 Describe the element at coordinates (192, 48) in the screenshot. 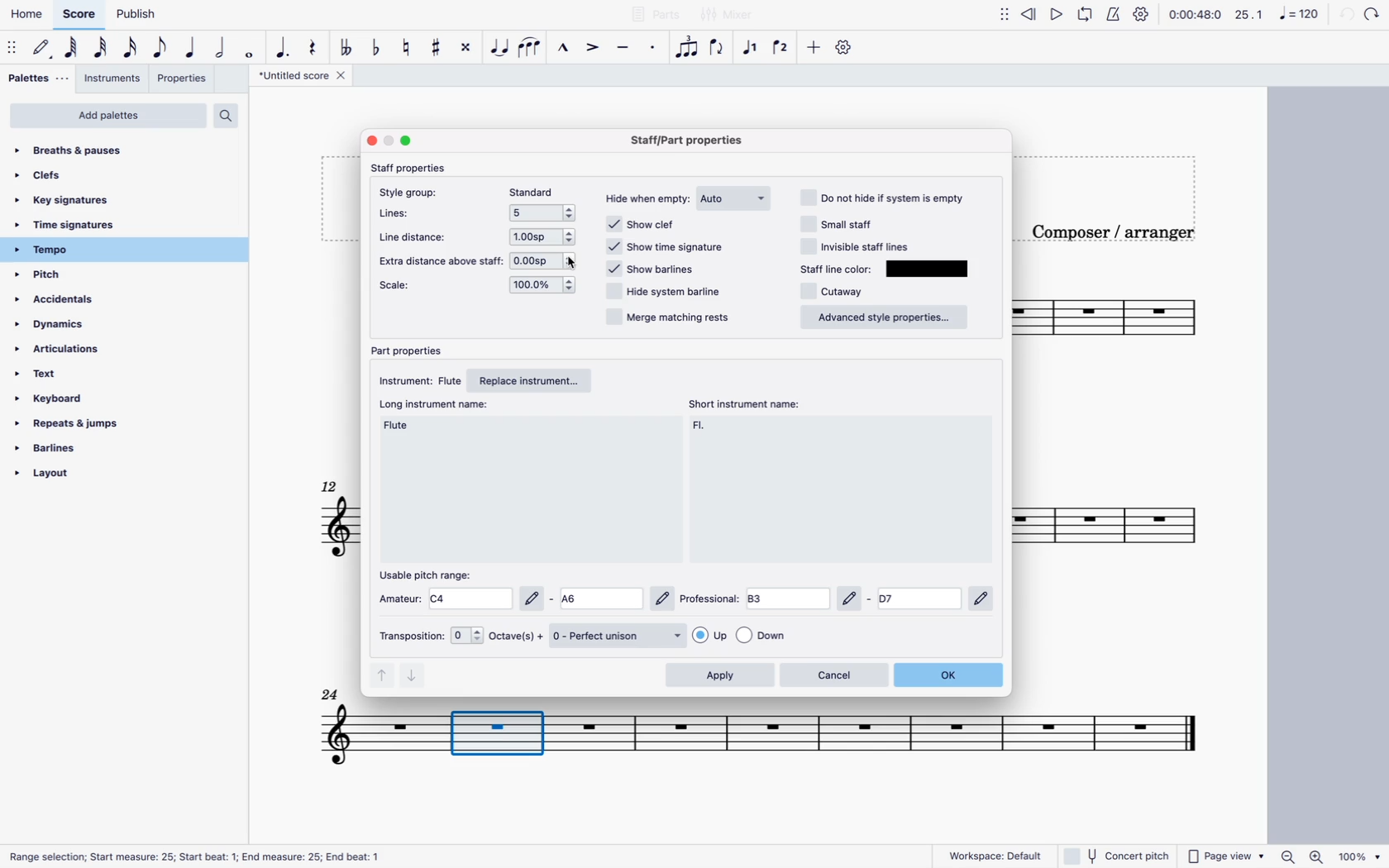

I see `quarter note` at that location.